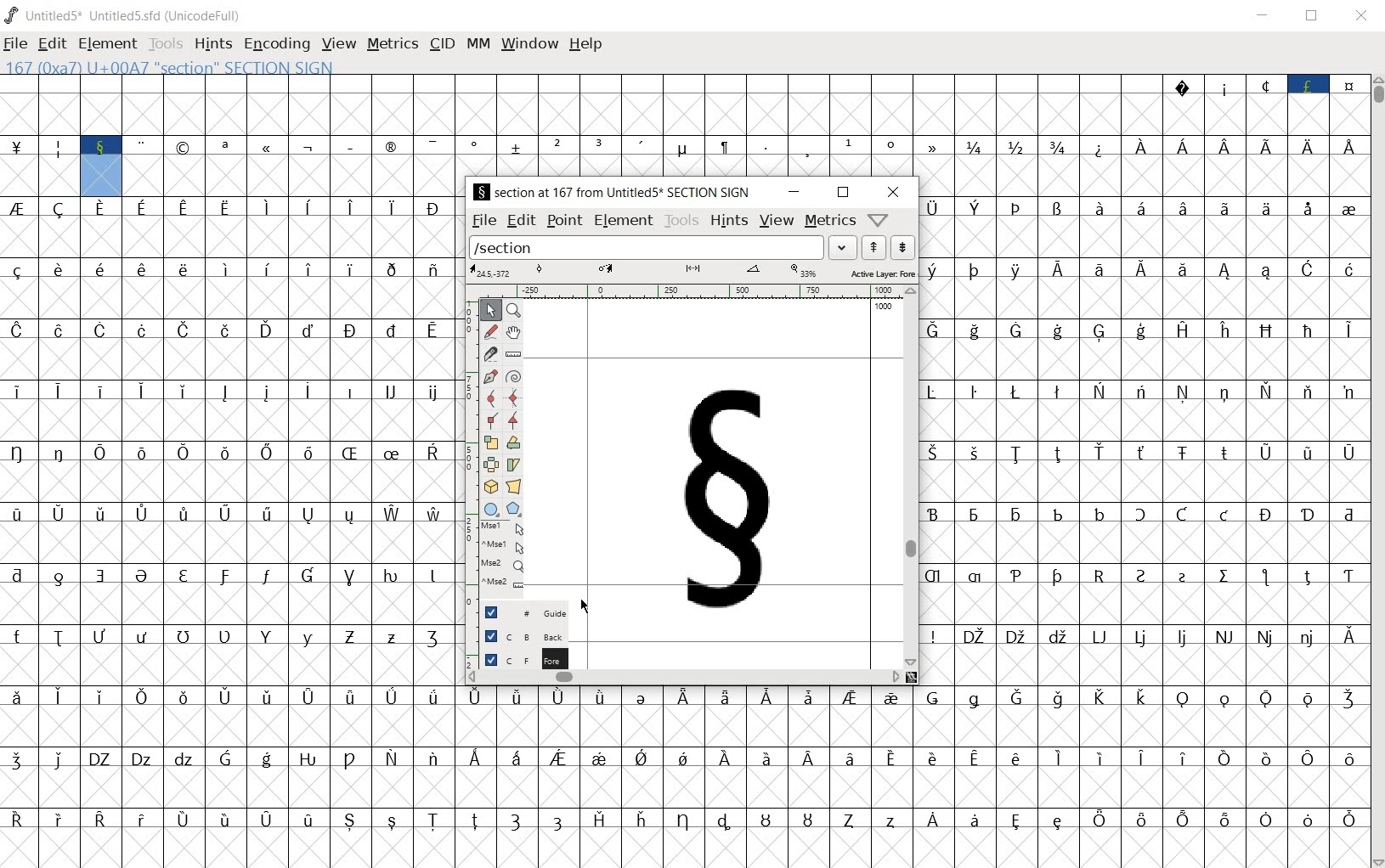 This screenshot has height=868, width=1385. Describe the element at coordinates (693, 272) in the screenshot. I see `active layer` at that location.